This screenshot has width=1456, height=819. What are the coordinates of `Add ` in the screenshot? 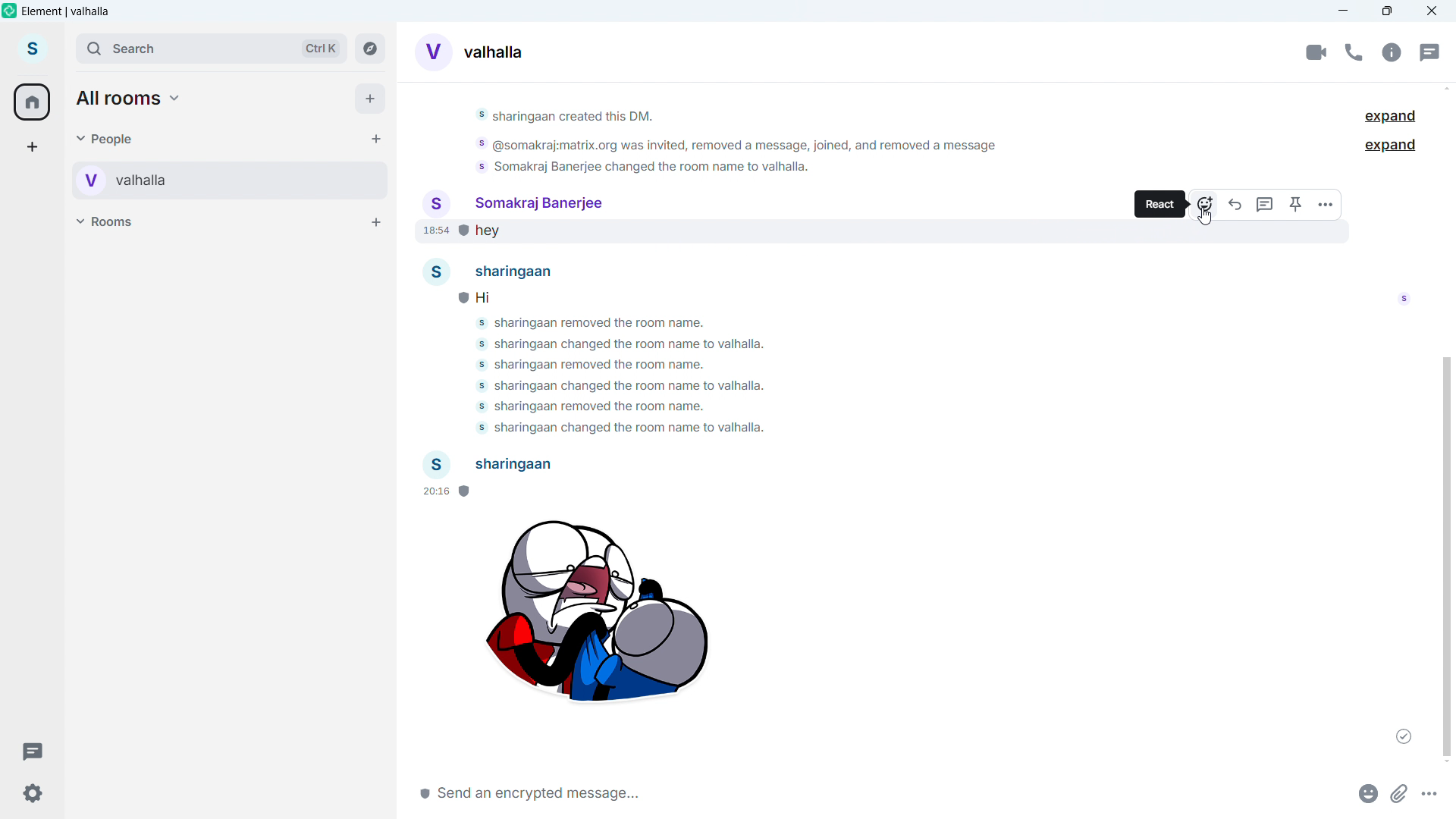 It's located at (371, 99).